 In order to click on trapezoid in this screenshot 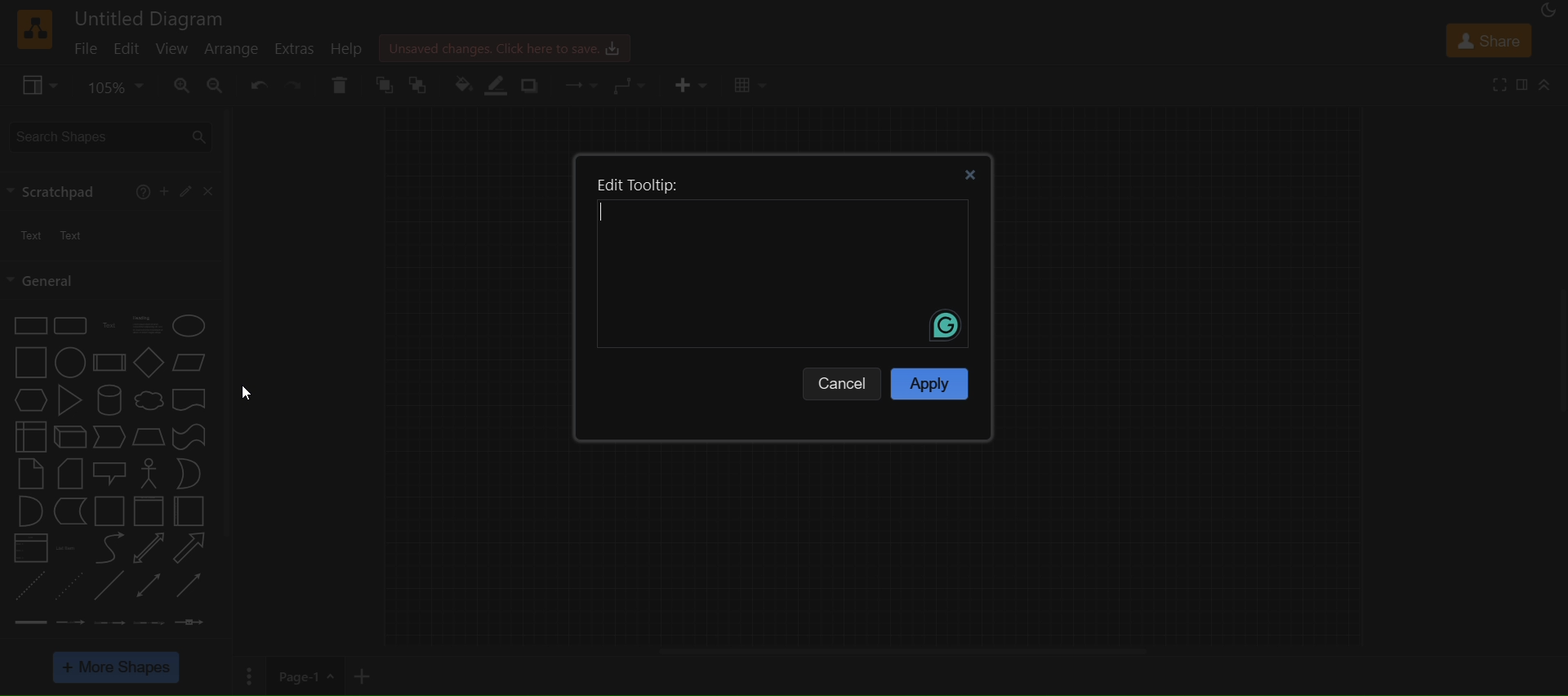, I will do `click(149, 437)`.